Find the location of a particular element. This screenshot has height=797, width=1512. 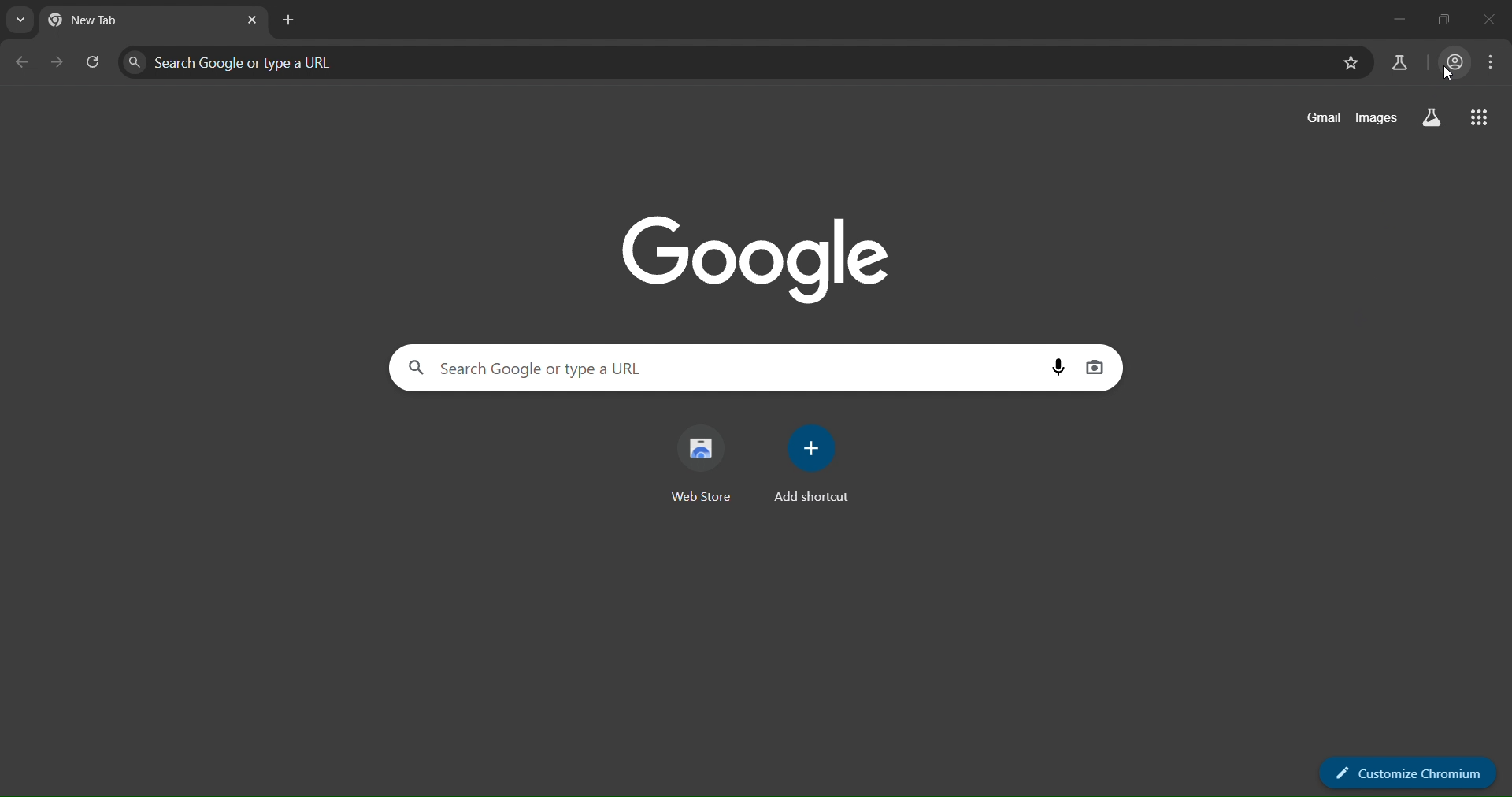

account is located at coordinates (1452, 63).